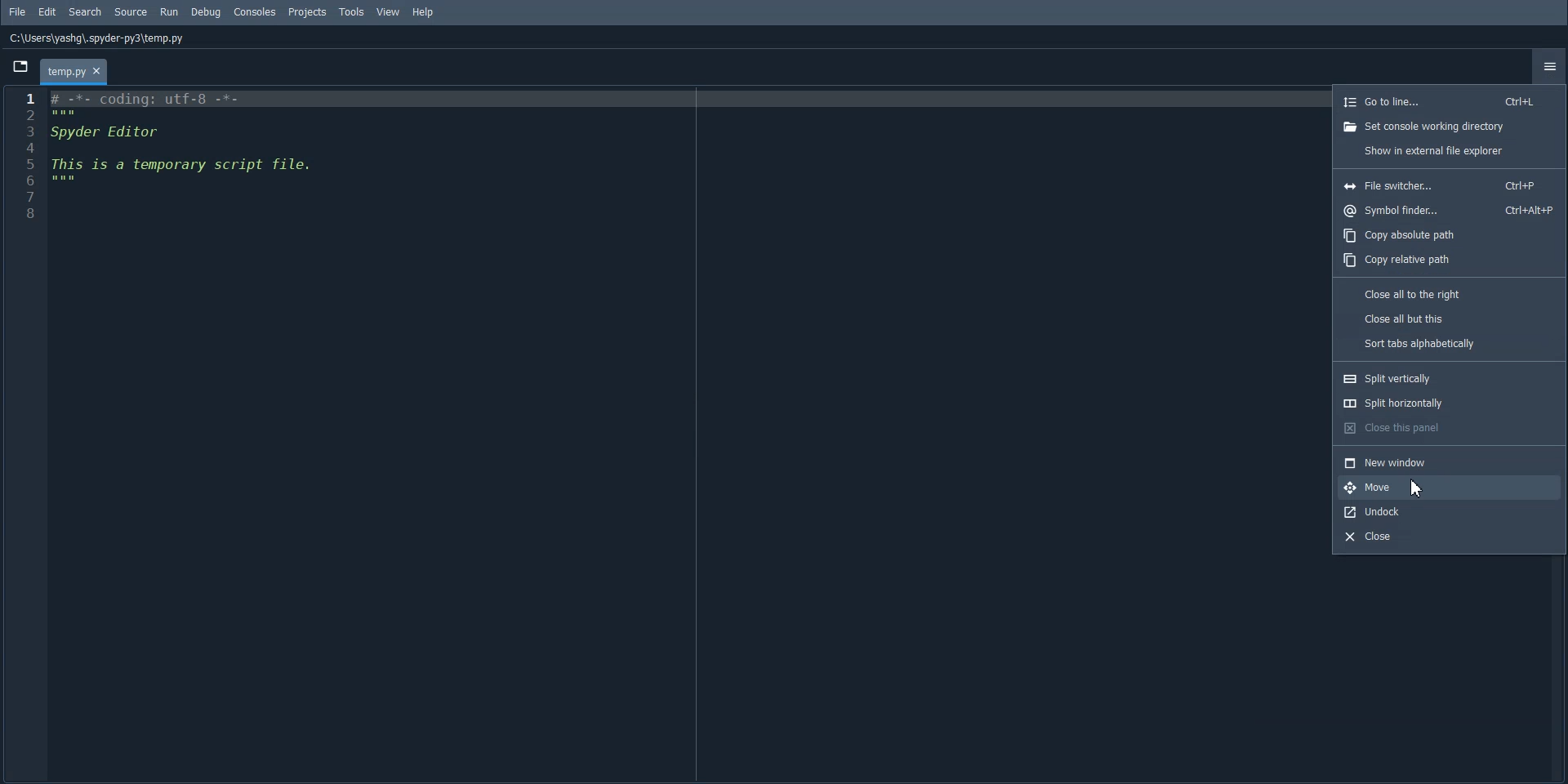 This screenshot has width=1568, height=784. What do you see at coordinates (1450, 403) in the screenshot?
I see `Split Horizontally` at bounding box center [1450, 403].